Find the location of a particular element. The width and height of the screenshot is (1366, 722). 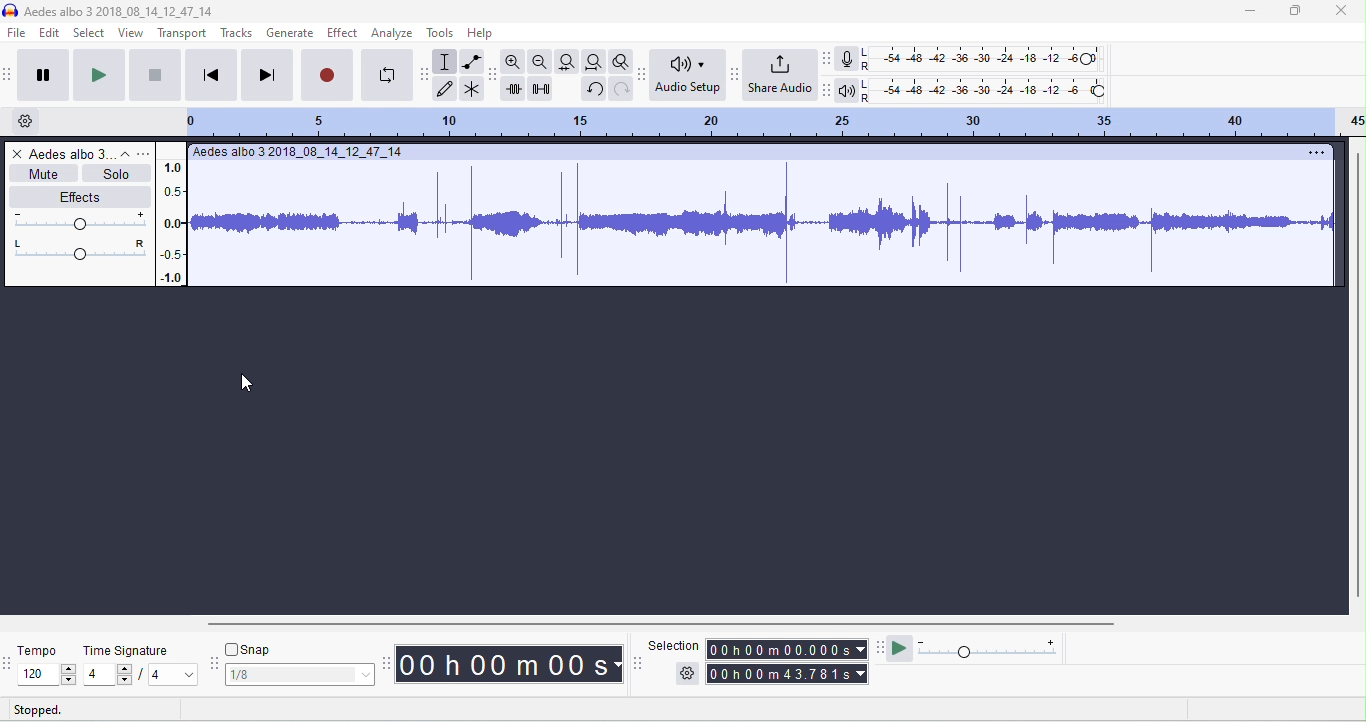

undo is located at coordinates (596, 89).